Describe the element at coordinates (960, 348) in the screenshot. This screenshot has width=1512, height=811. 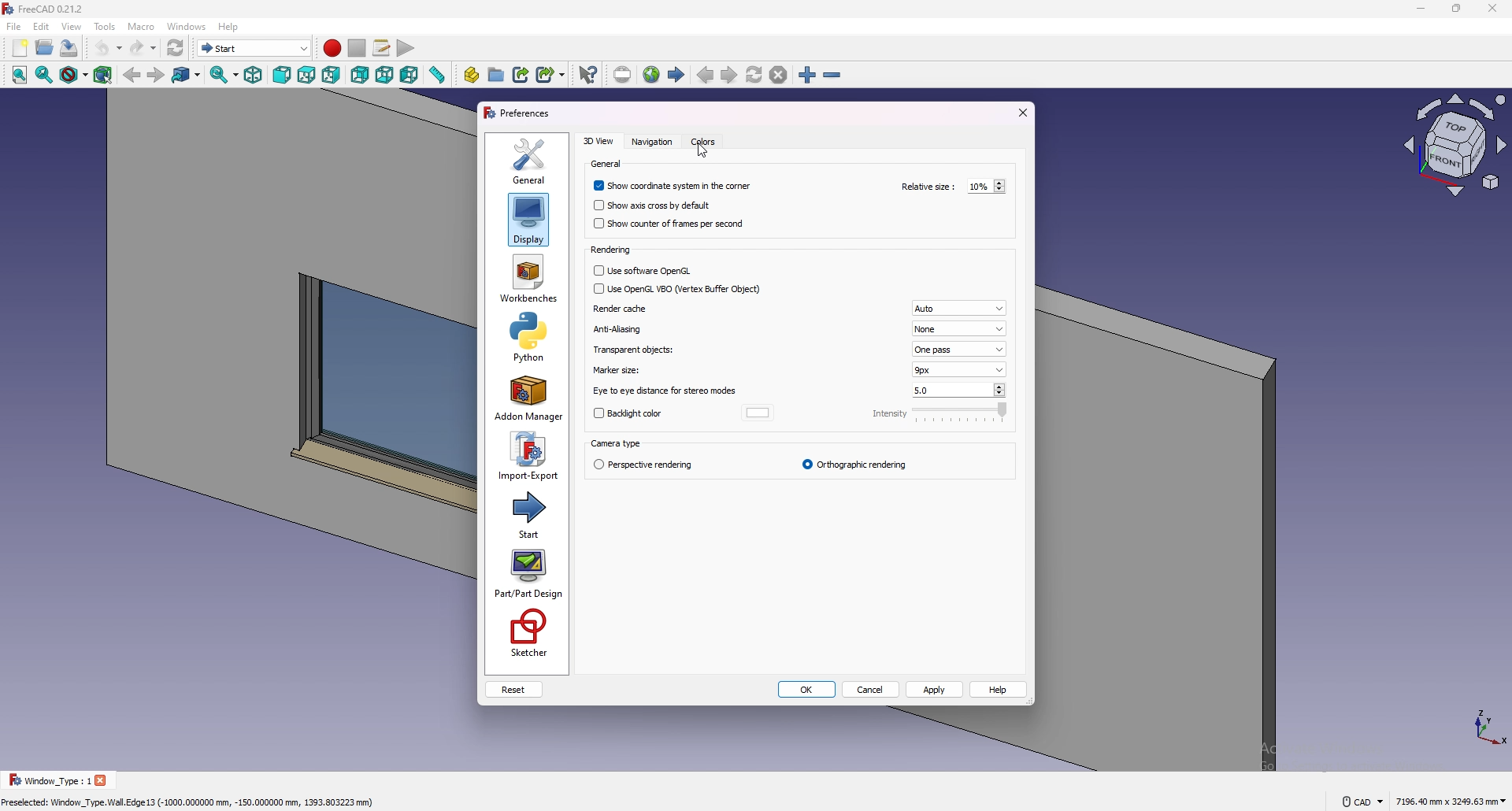
I see `one pass` at that location.